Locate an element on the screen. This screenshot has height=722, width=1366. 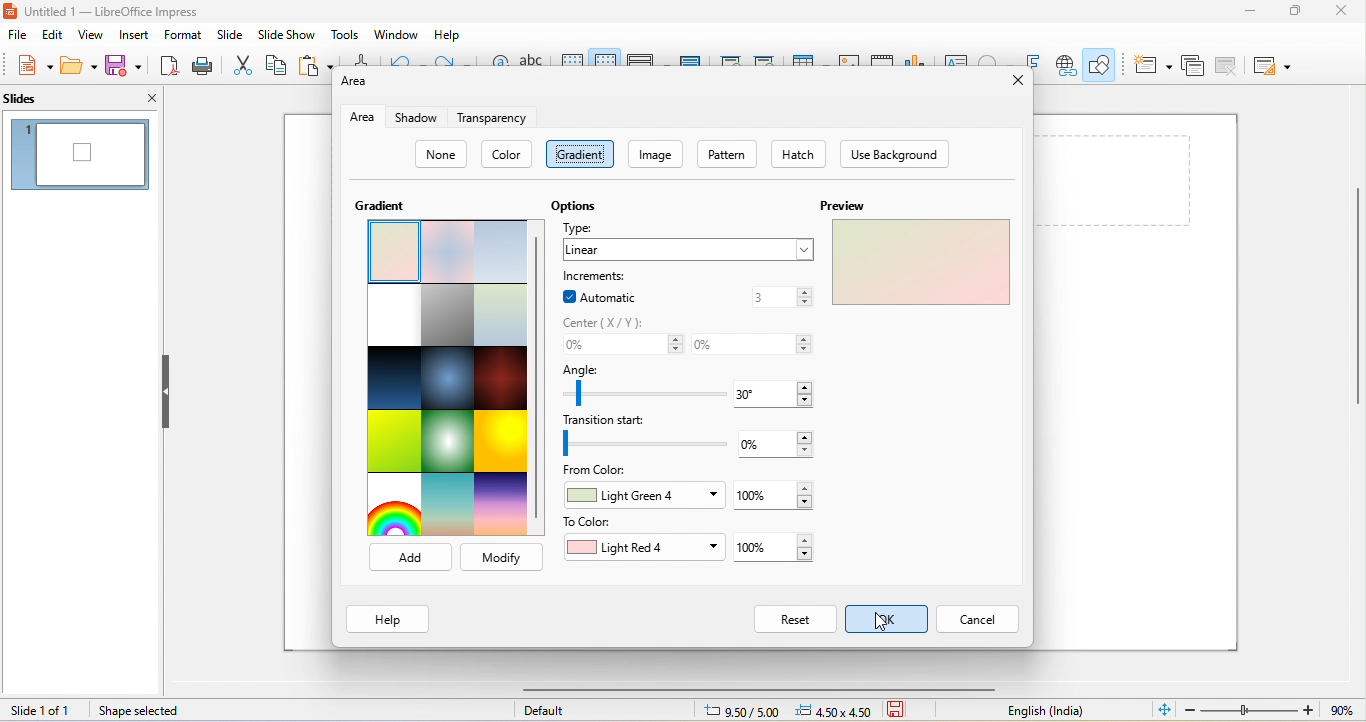
open is located at coordinates (79, 63).